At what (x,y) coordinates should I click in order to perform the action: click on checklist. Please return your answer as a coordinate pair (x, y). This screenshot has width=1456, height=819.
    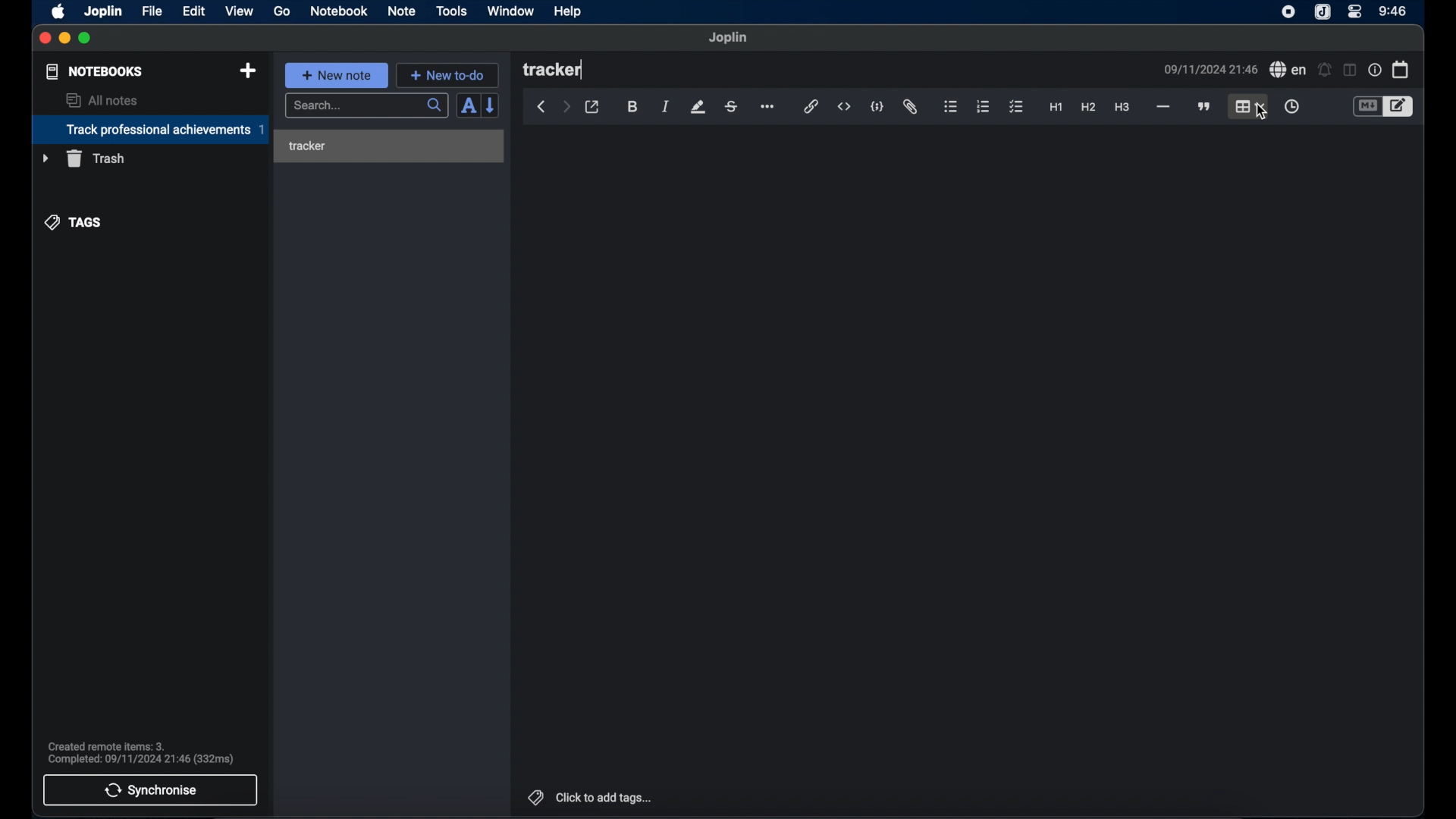
    Looking at the image, I should click on (1016, 107).